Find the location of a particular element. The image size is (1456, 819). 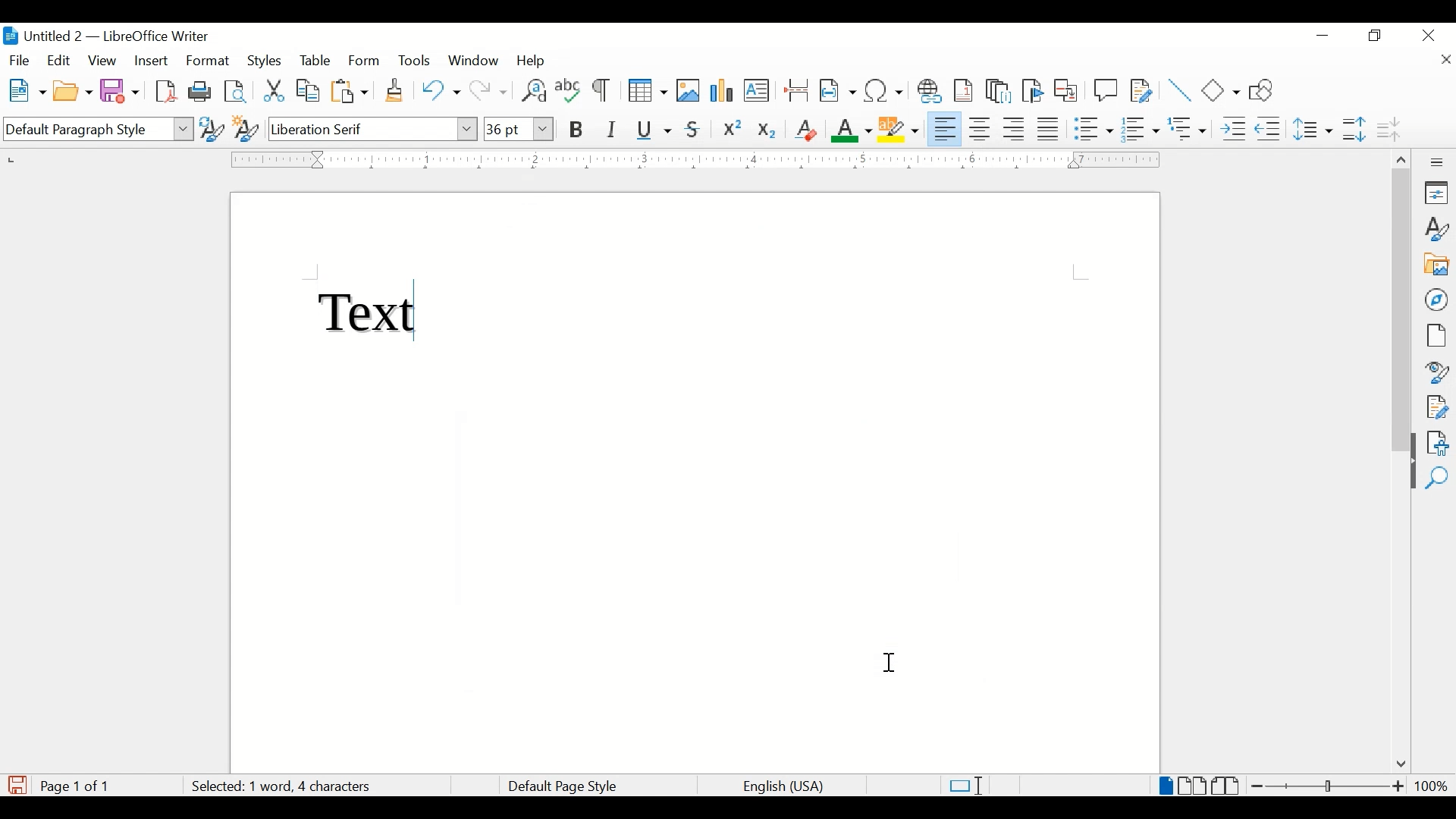

help is located at coordinates (534, 61).